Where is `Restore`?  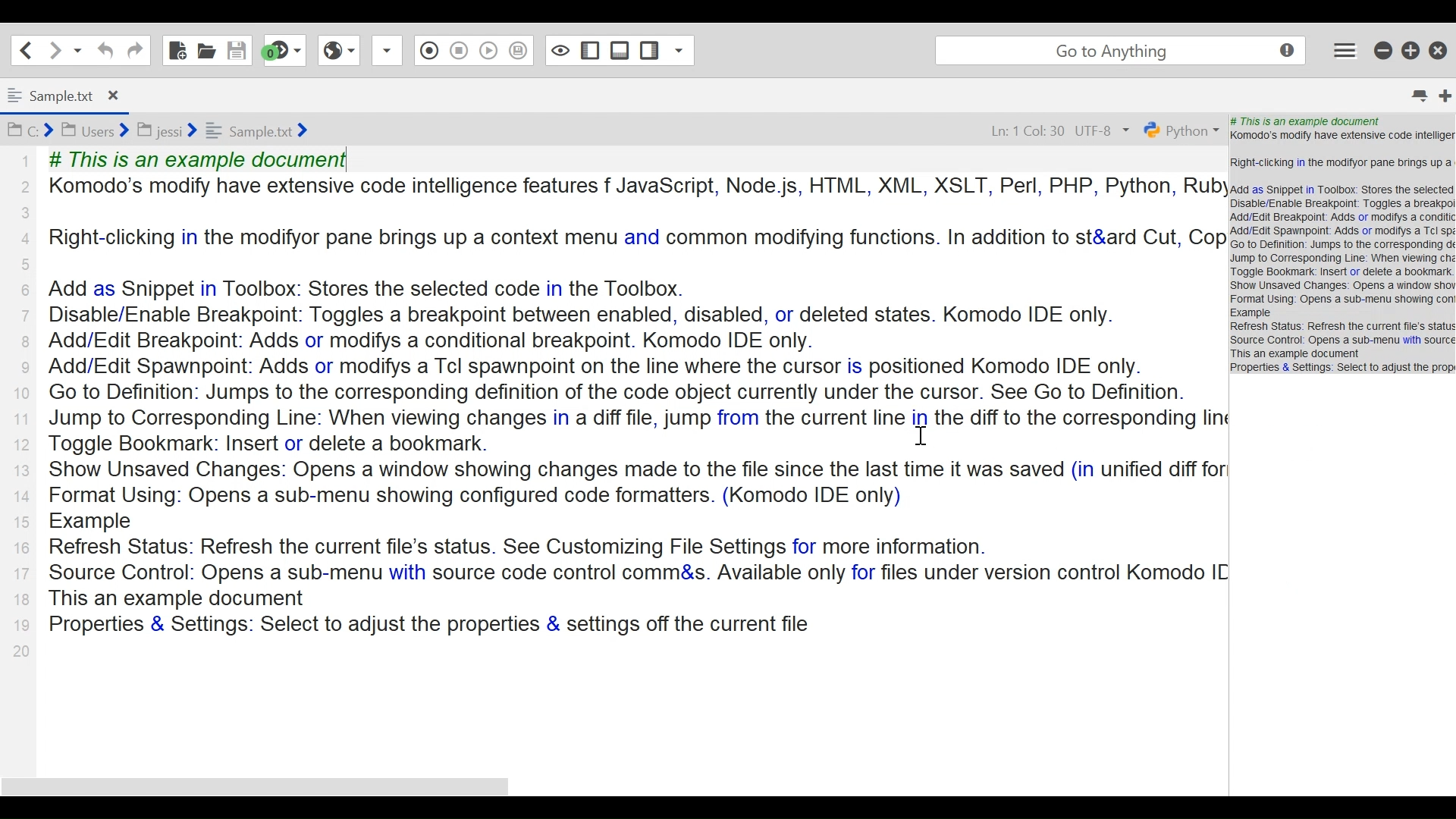
Restore is located at coordinates (1410, 50).